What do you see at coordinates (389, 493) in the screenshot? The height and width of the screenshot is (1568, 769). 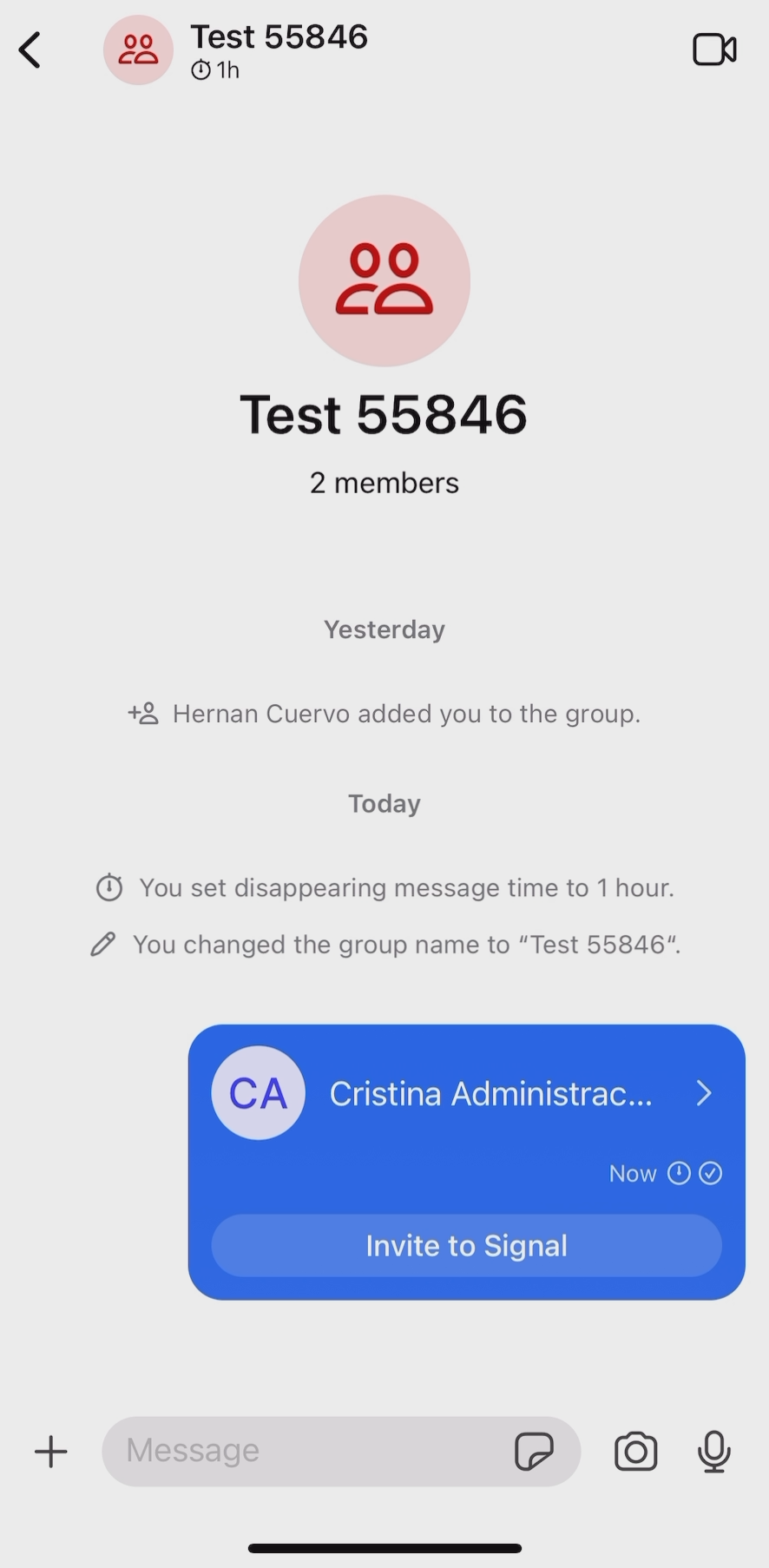 I see `2 members` at bounding box center [389, 493].